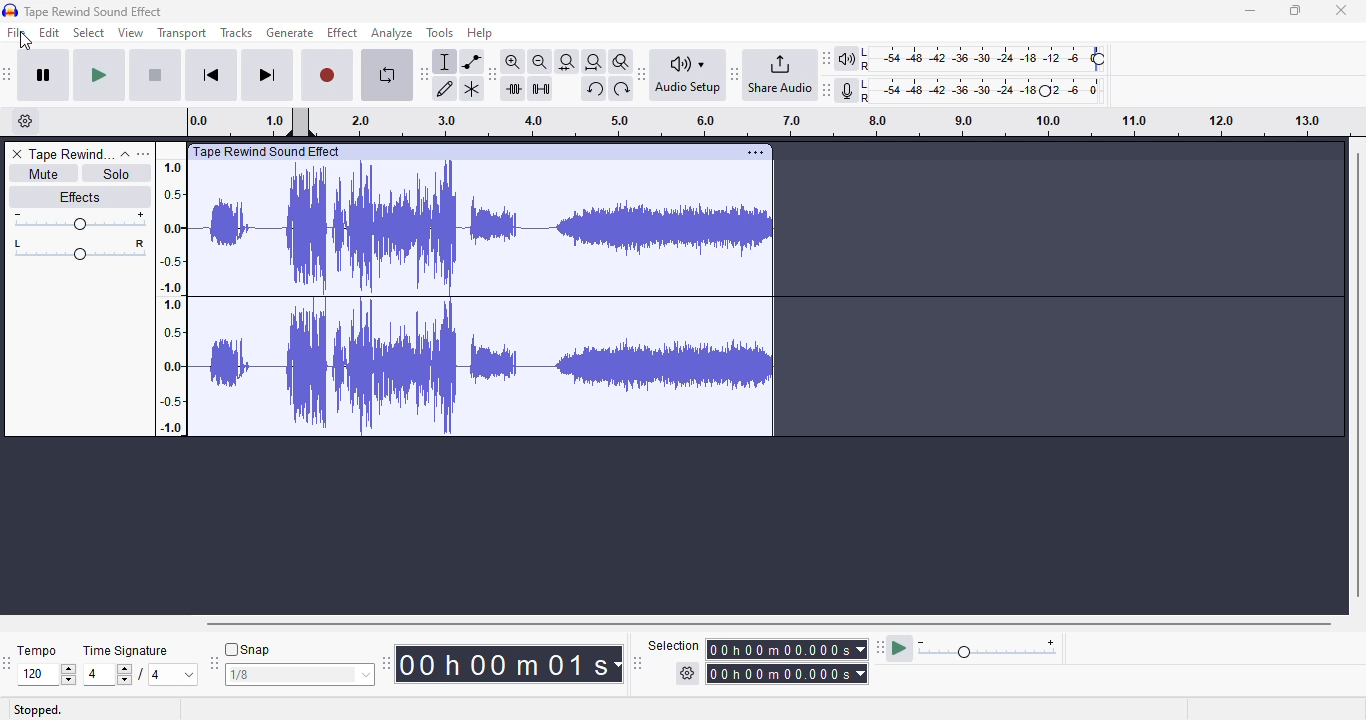 The height and width of the screenshot is (720, 1366). Describe the element at coordinates (387, 75) in the screenshot. I see `enable looping` at that location.